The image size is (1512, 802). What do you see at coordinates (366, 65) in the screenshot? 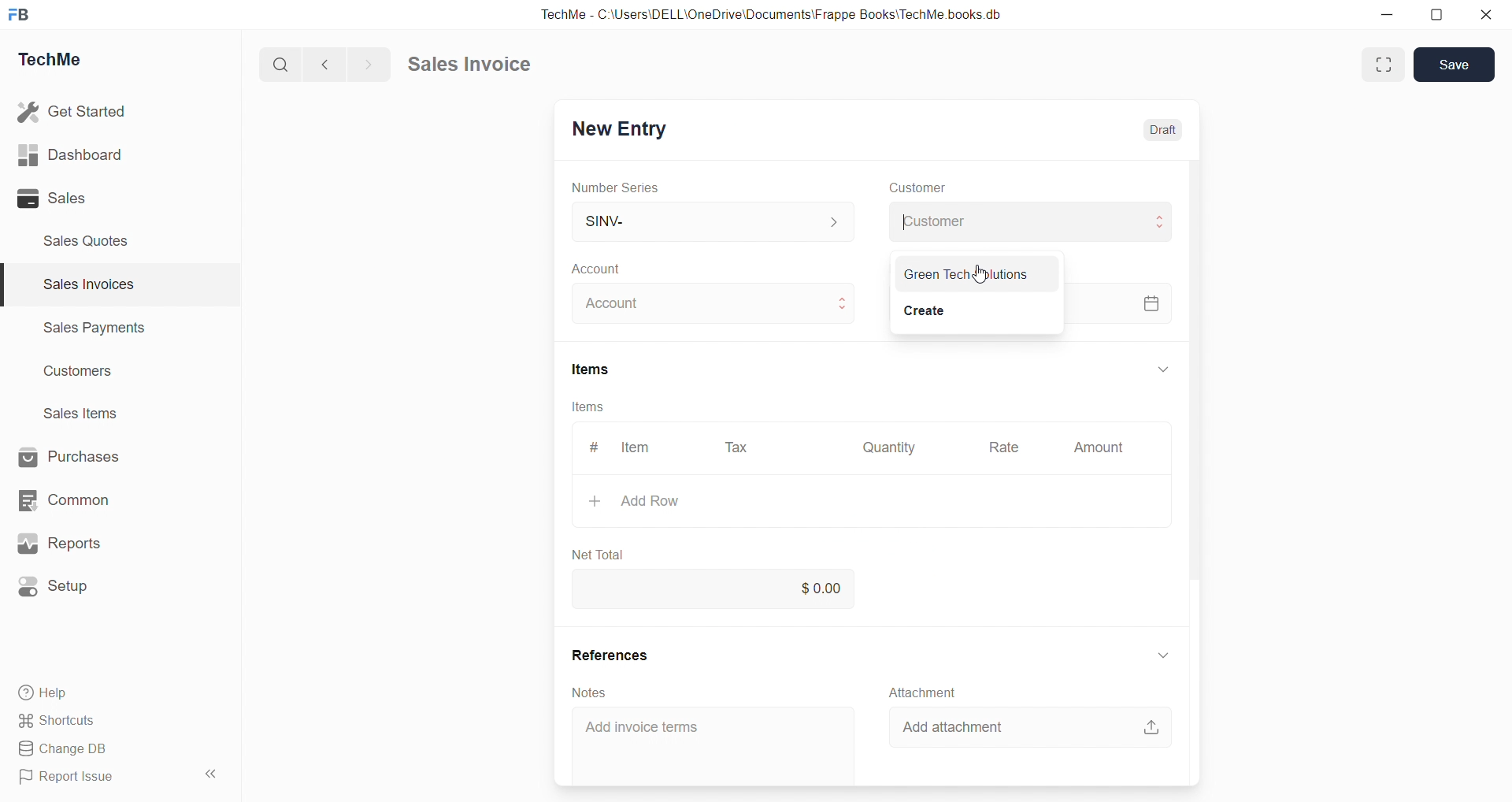
I see `forward` at bounding box center [366, 65].